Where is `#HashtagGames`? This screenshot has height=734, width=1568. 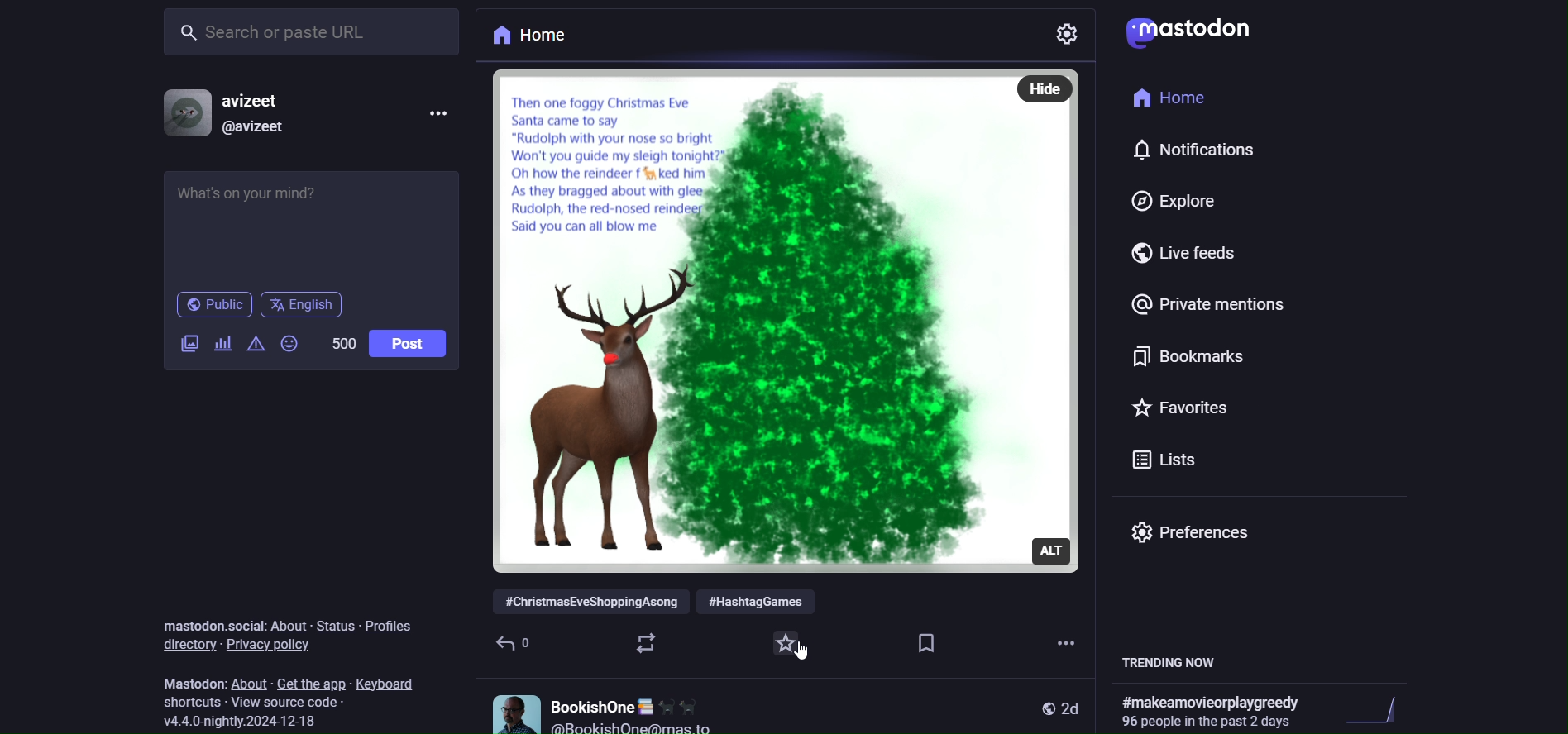
#HashtagGames is located at coordinates (767, 594).